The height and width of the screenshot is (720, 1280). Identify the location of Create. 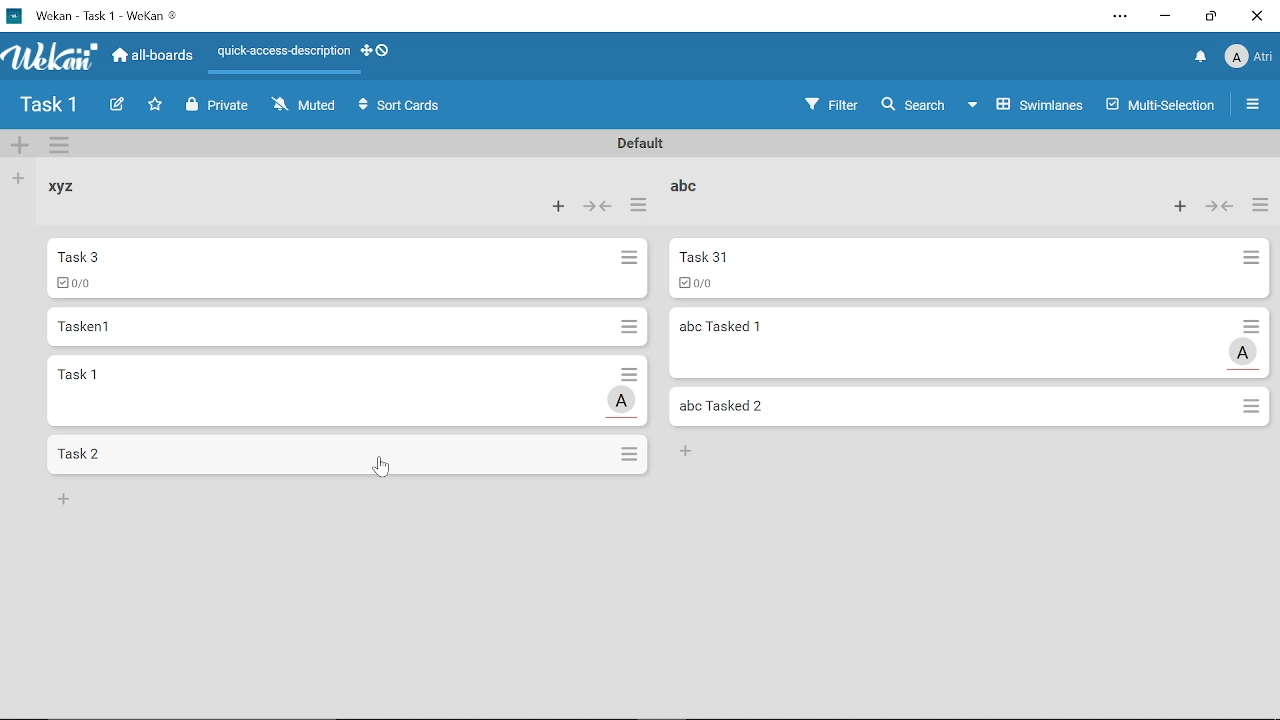
(116, 106).